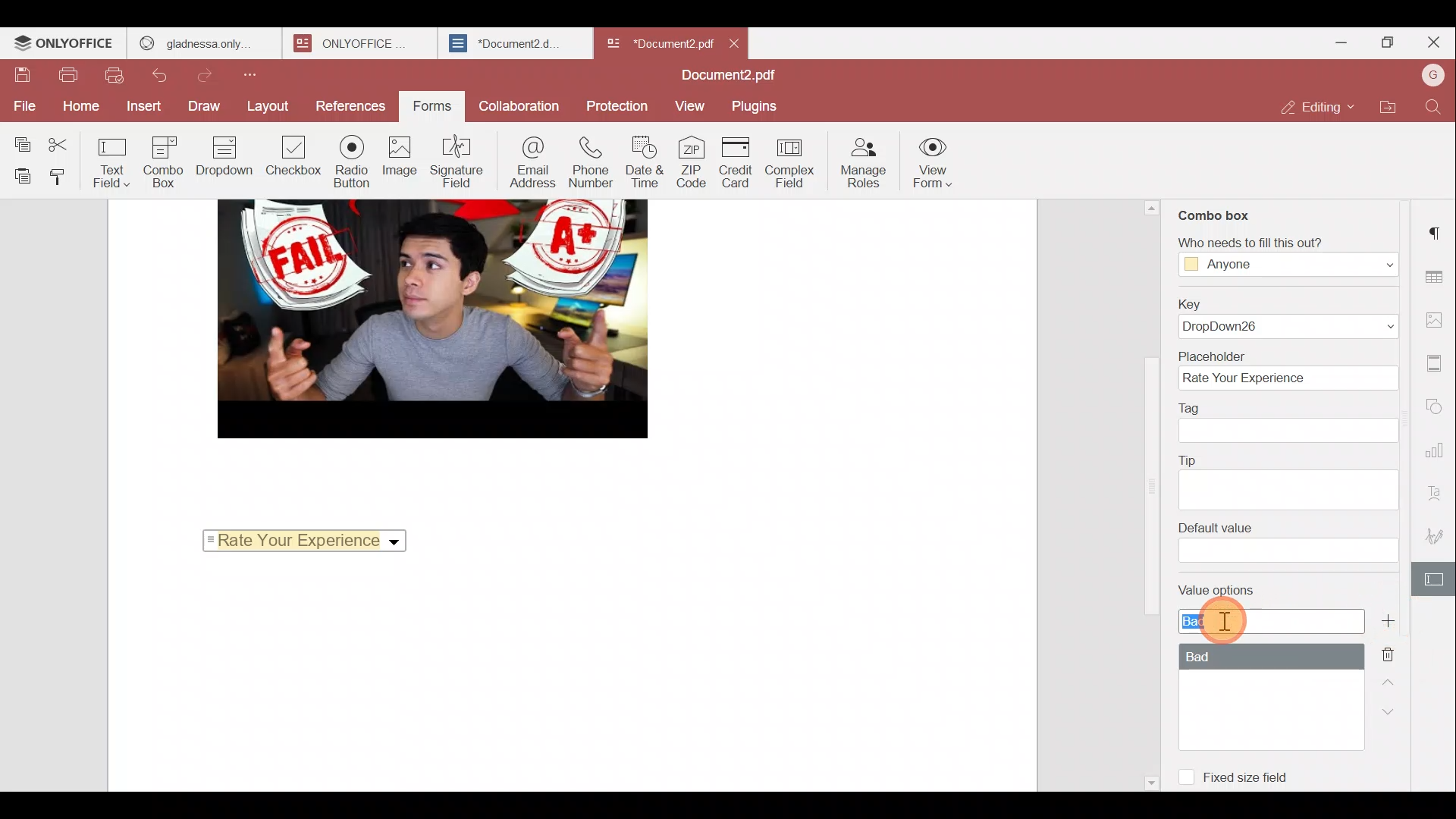 The image size is (1456, 819). I want to click on Header & footer settings, so click(1436, 364).